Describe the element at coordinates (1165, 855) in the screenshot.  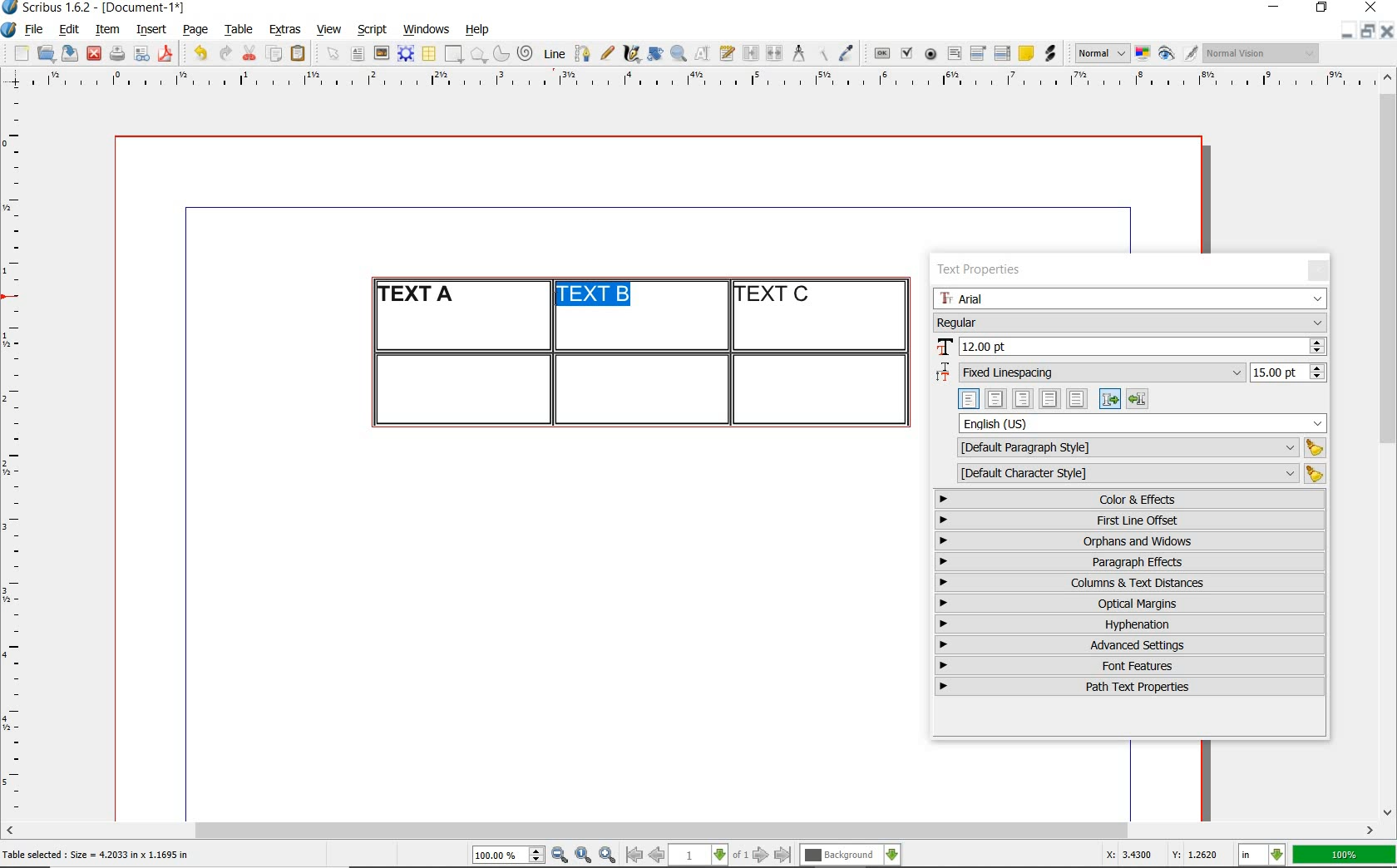
I see `X: 3.4300 Y: 1.2620` at that location.